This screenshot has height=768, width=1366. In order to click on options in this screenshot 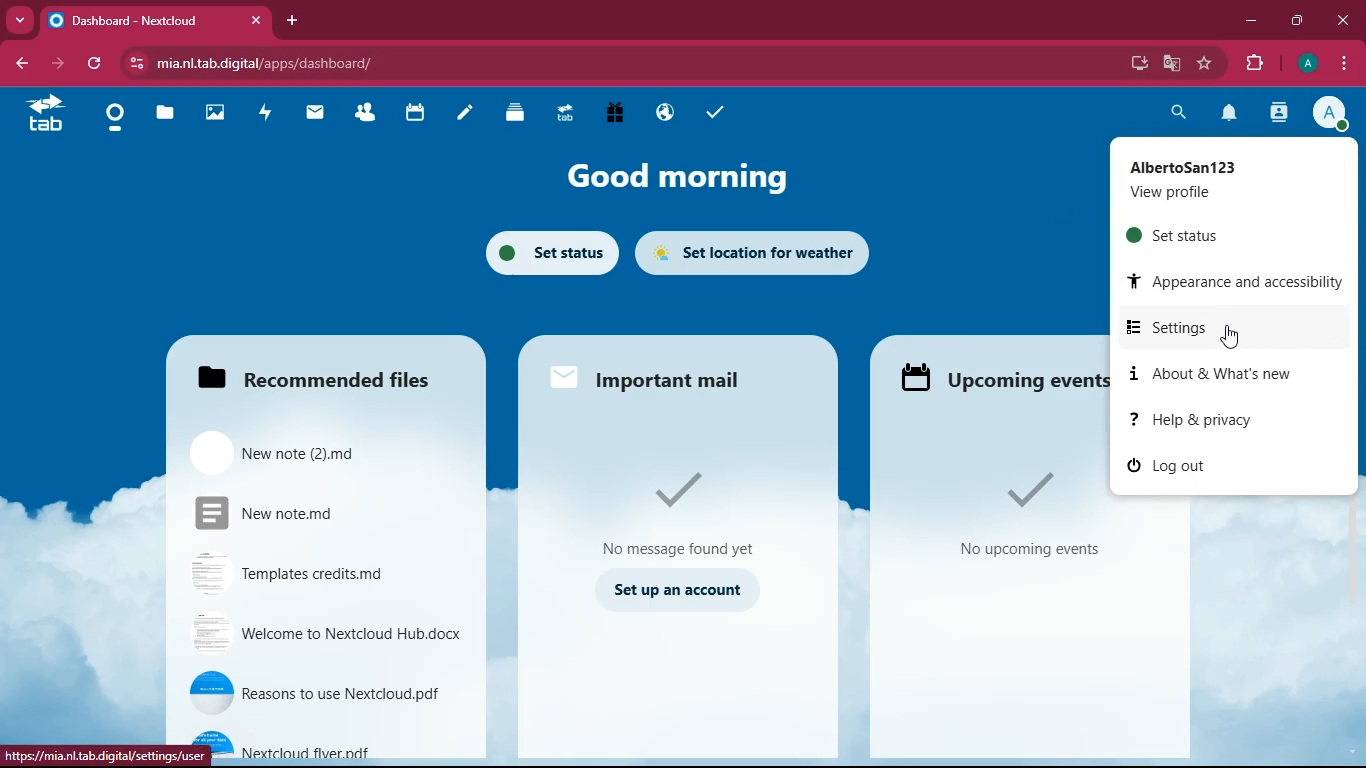, I will do `click(1345, 63)`.